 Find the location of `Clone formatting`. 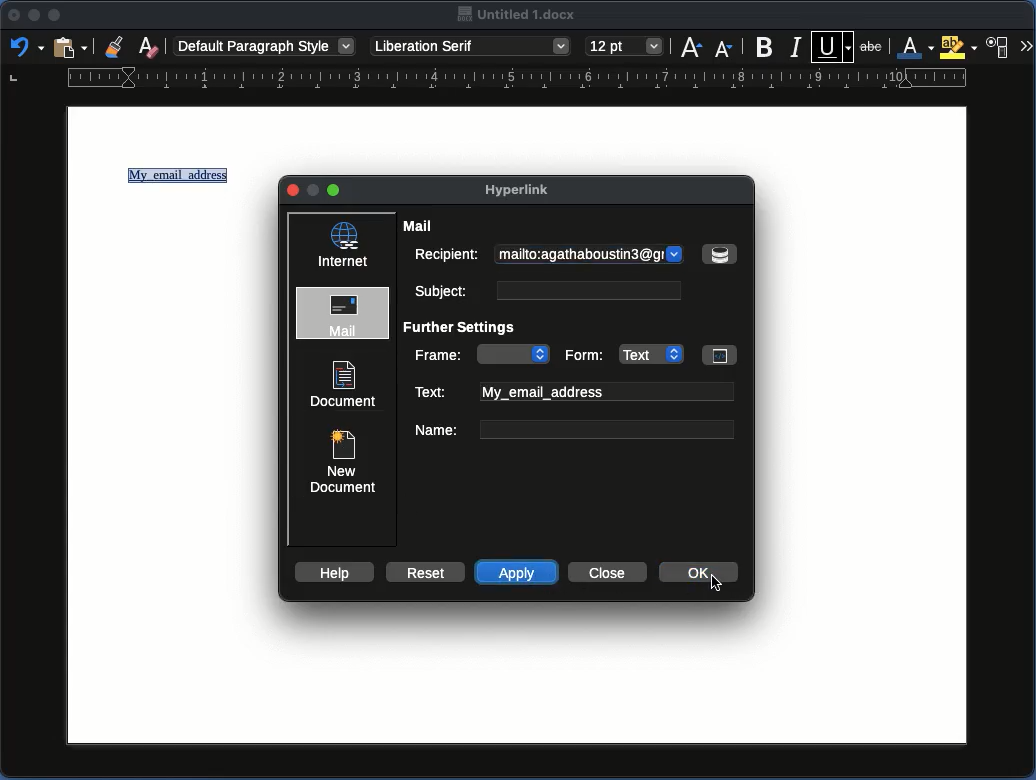

Clone formatting is located at coordinates (115, 46).